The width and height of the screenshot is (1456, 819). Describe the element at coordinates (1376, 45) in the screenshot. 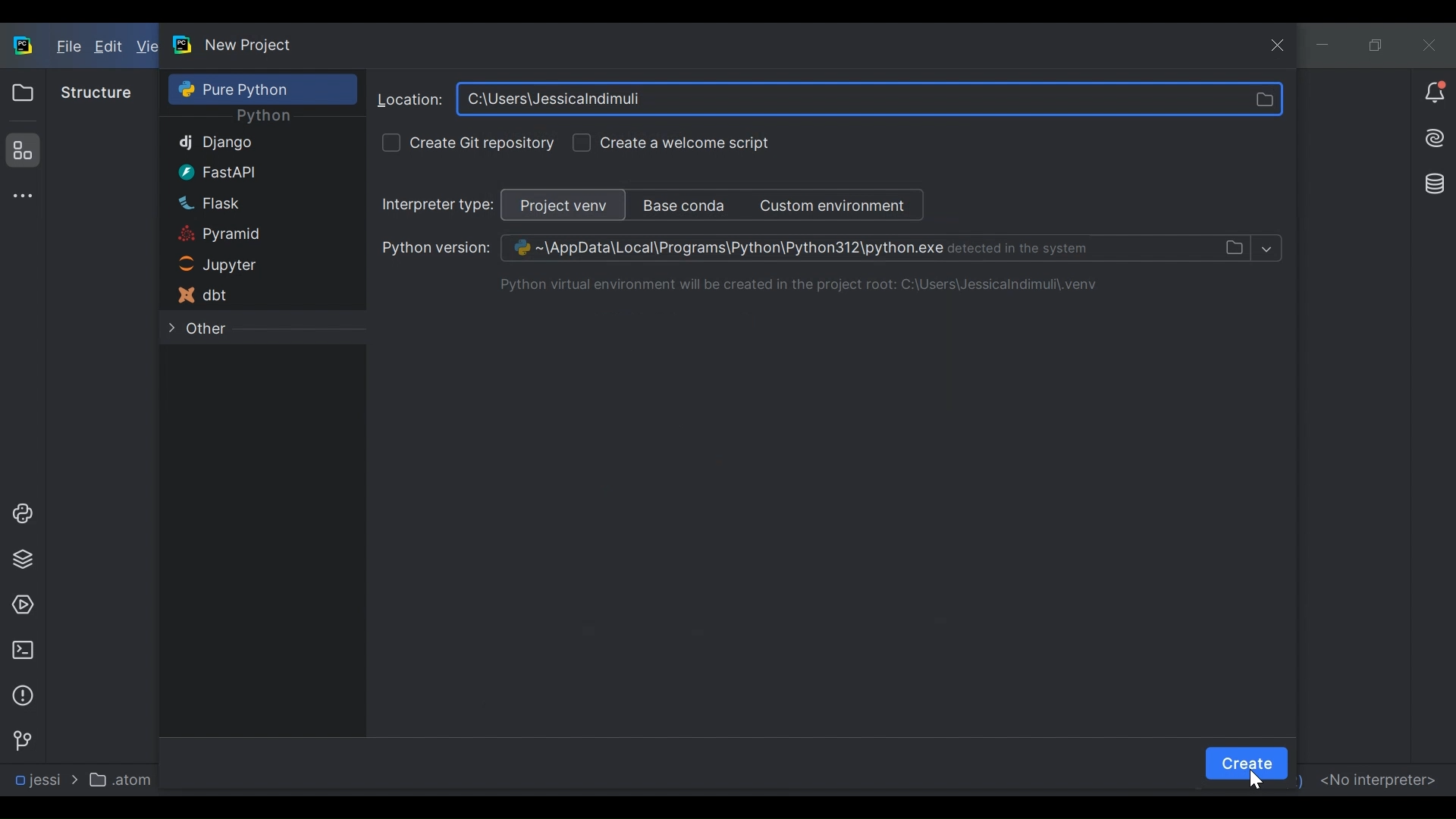

I see `Restore` at that location.